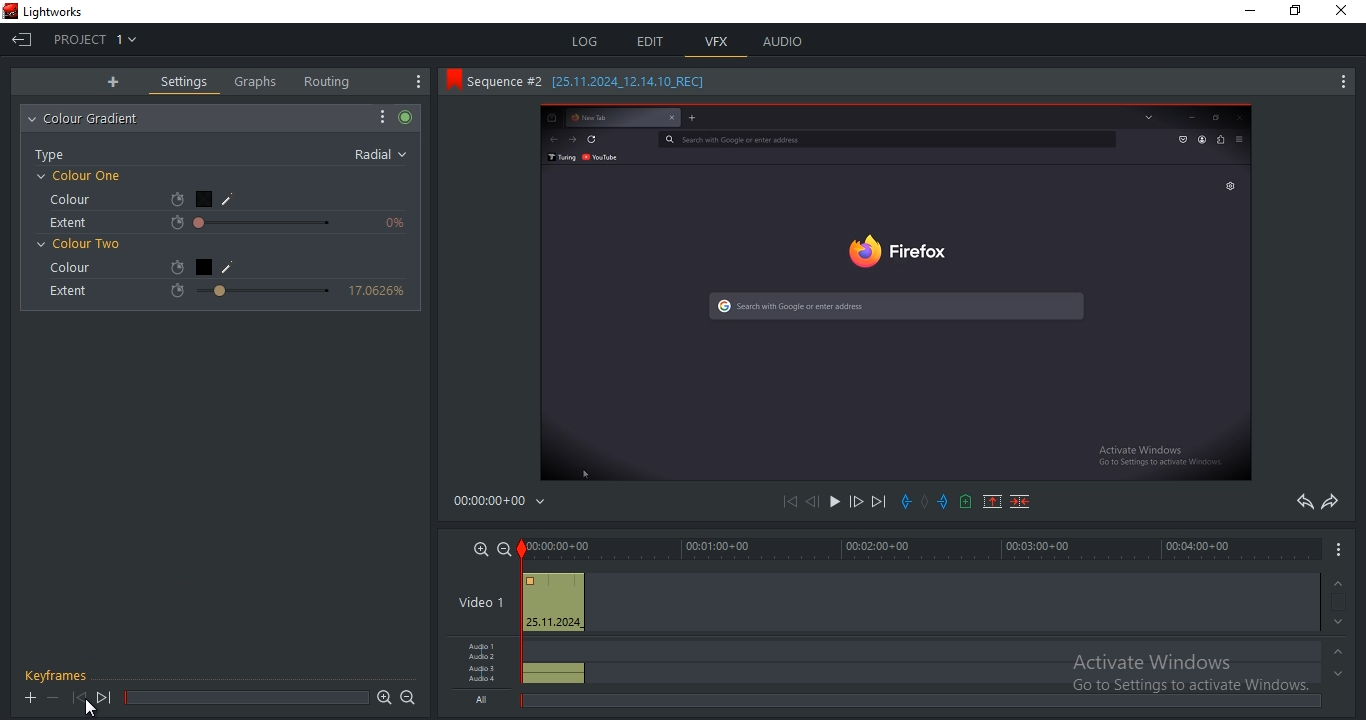  Describe the element at coordinates (82, 242) in the screenshot. I see `colour two` at that location.